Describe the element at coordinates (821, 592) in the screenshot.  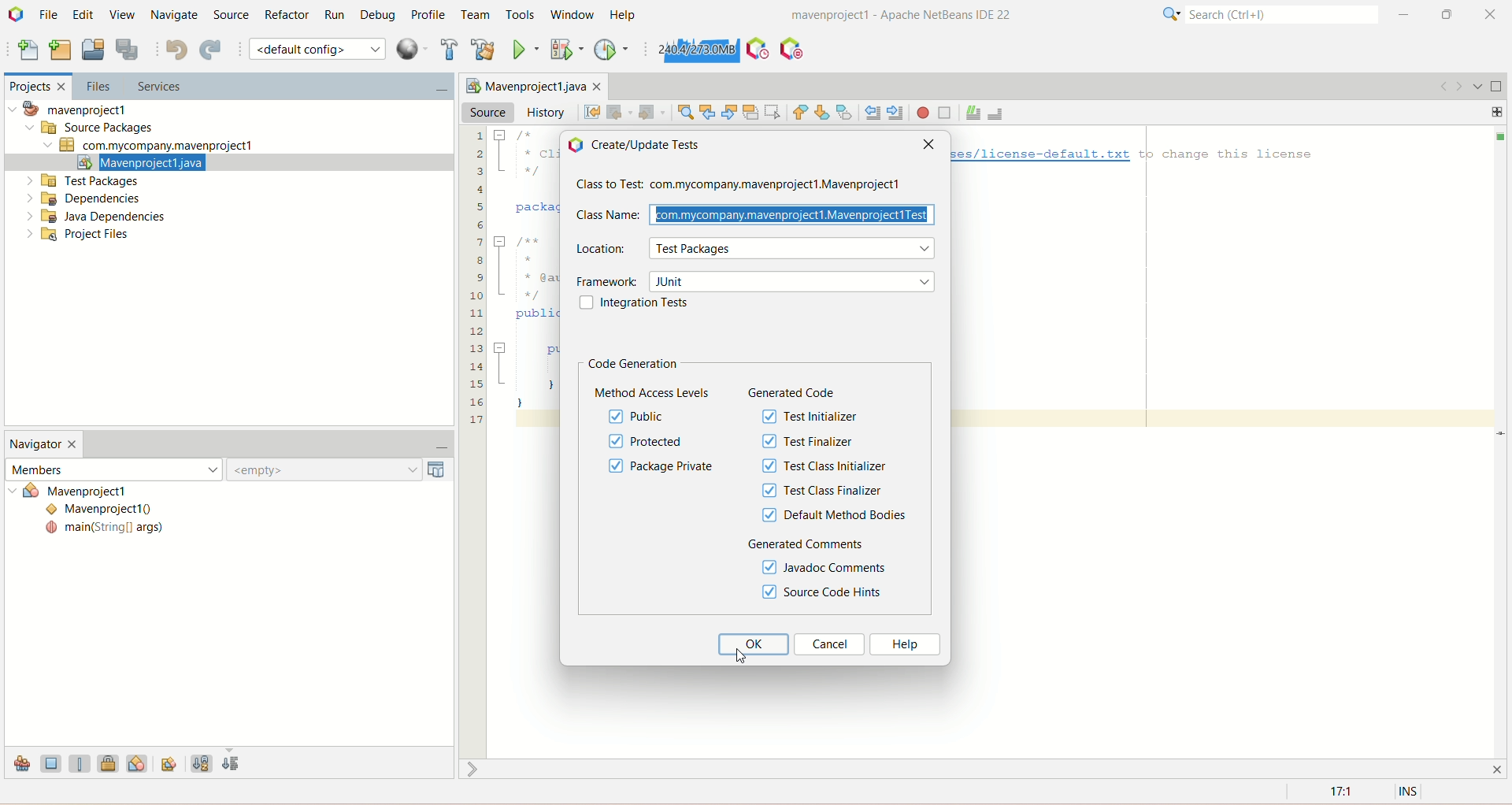
I see `source code hints` at that location.